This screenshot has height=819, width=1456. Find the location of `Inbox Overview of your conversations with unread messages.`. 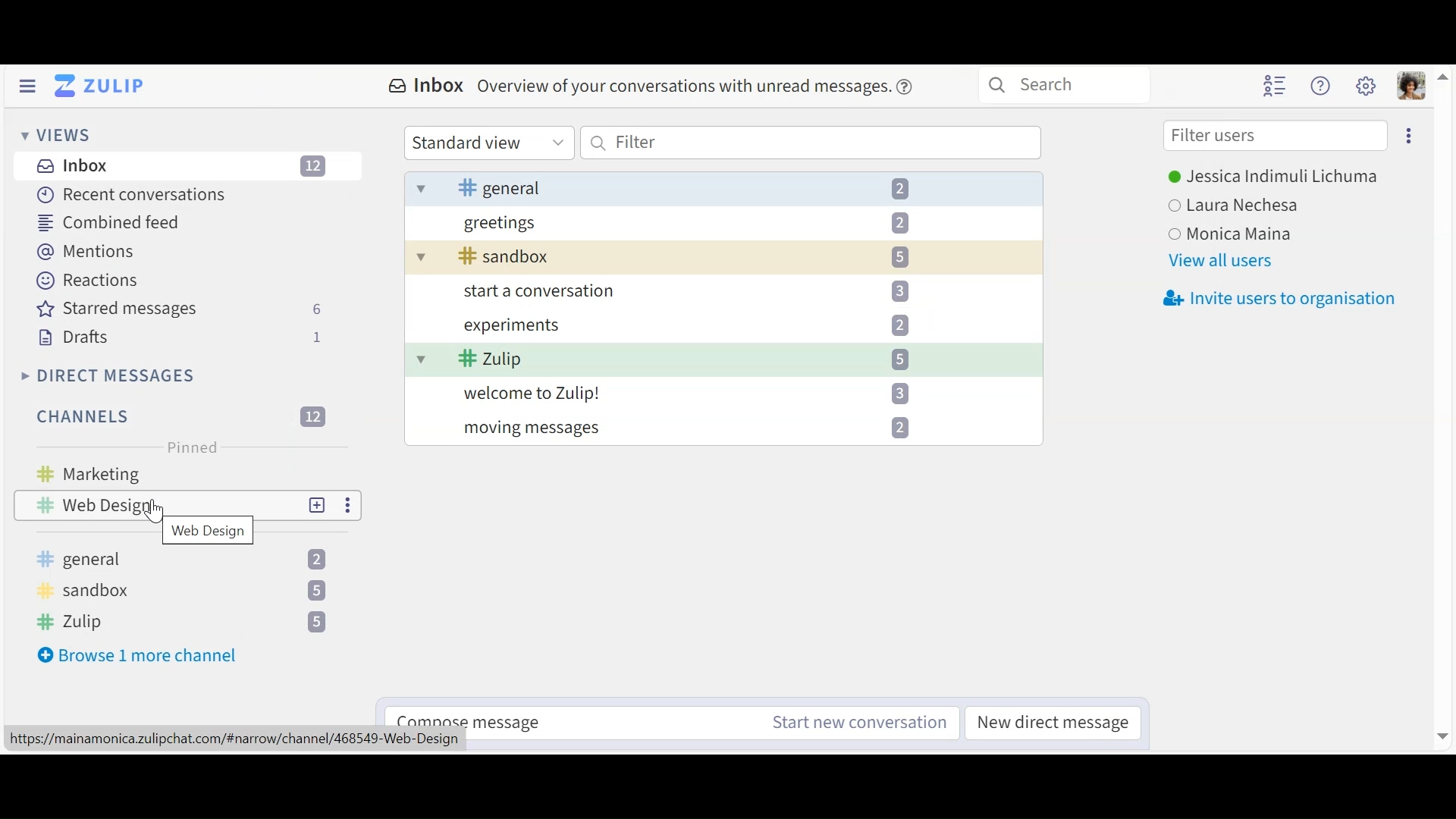

Inbox Overview of your conversations with unread messages. is located at coordinates (637, 86).